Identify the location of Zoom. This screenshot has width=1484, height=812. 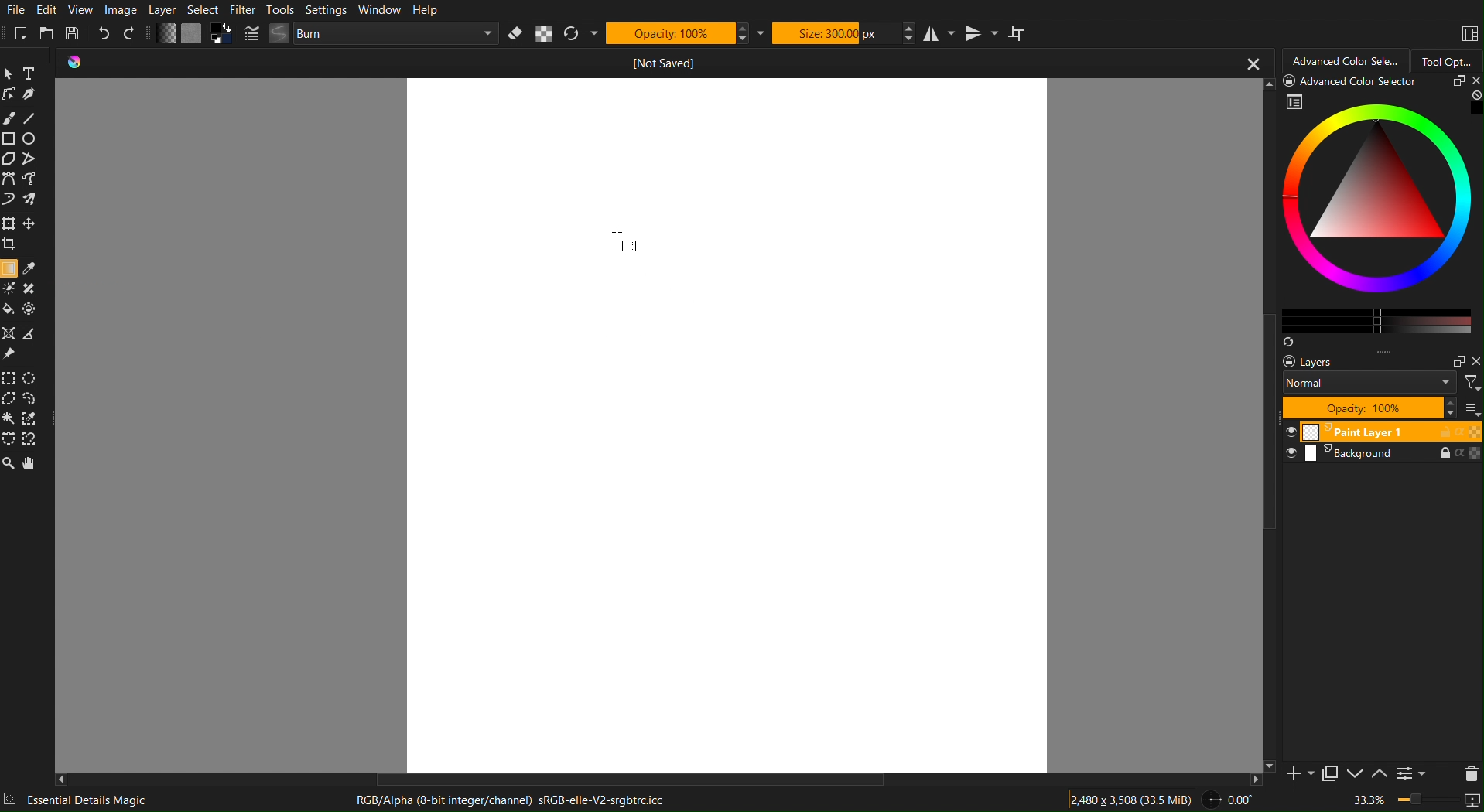
(9, 464).